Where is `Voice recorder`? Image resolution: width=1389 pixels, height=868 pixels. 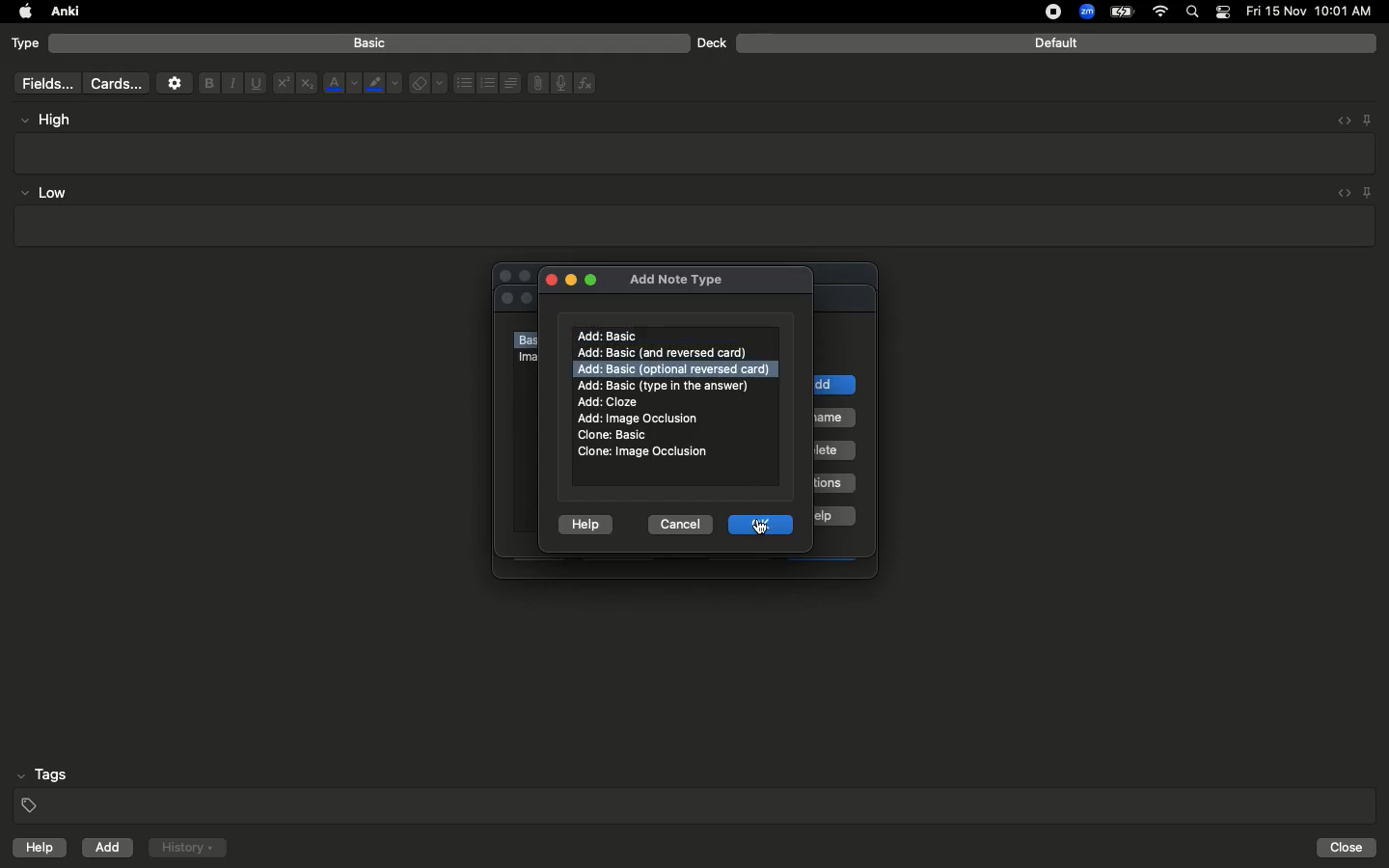 Voice recorder is located at coordinates (559, 81).